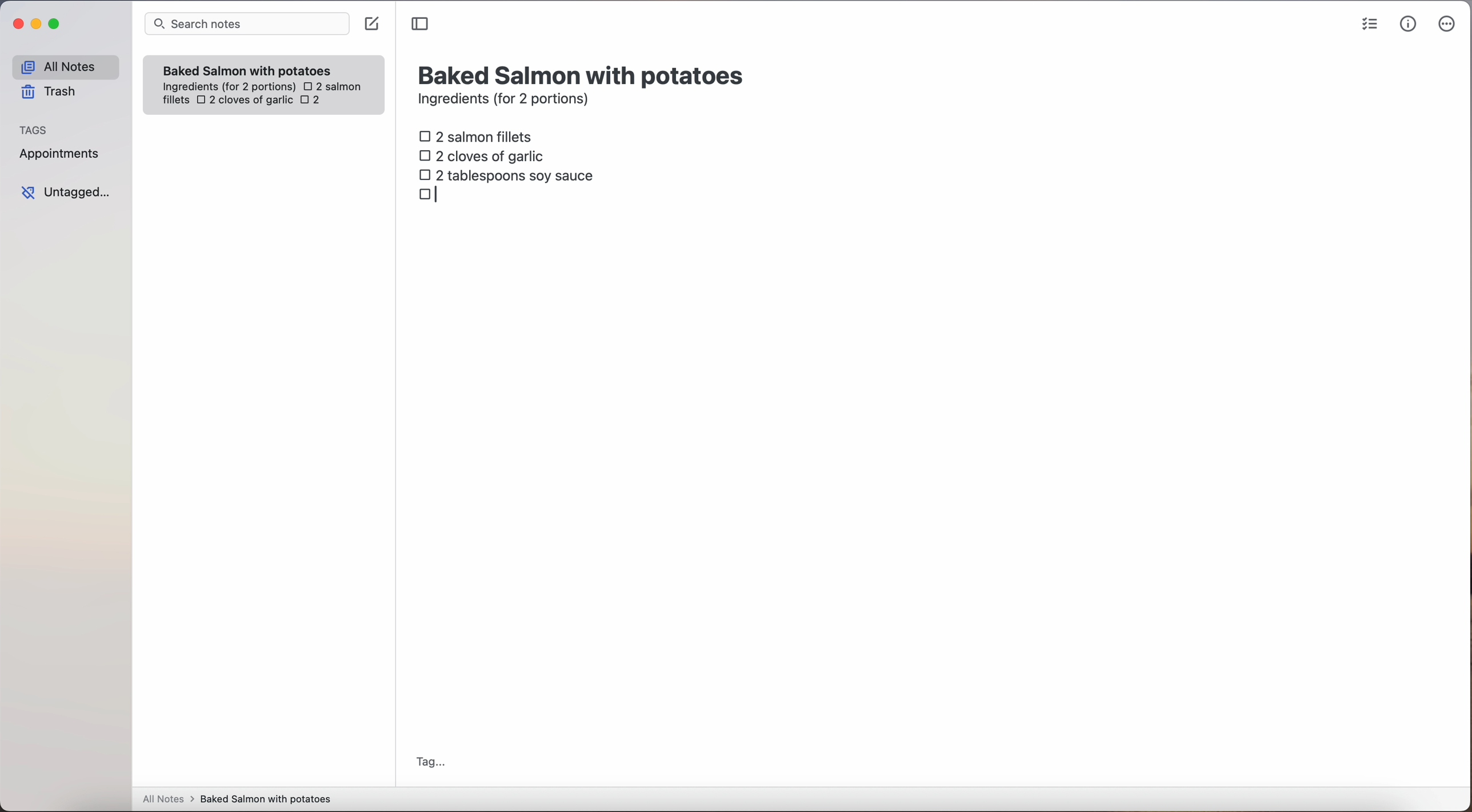 This screenshot has height=812, width=1472. What do you see at coordinates (331, 85) in the screenshot?
I see `2 salmon` at bounding box center [331, 85].